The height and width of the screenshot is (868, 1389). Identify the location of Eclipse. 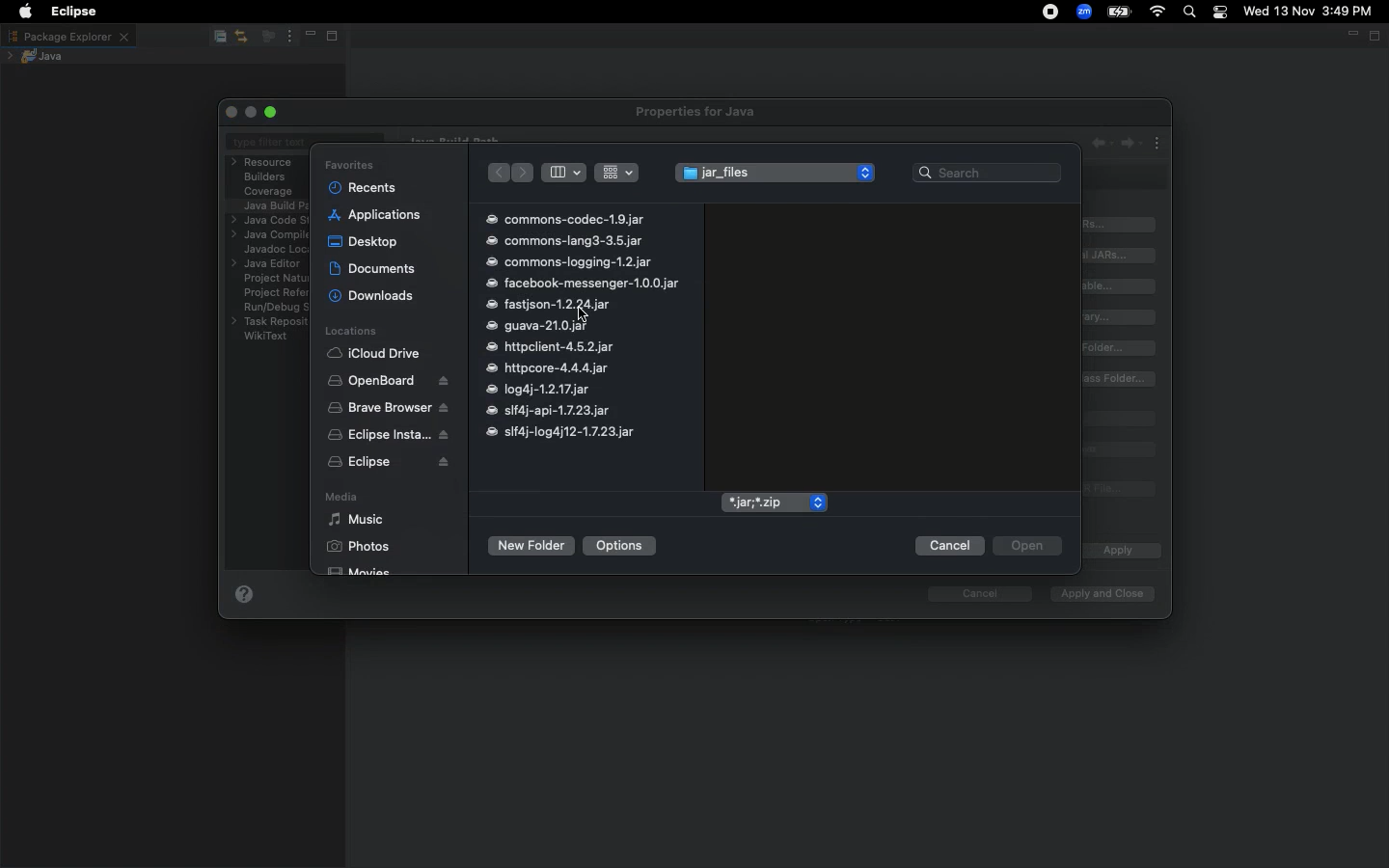
(69, 12).